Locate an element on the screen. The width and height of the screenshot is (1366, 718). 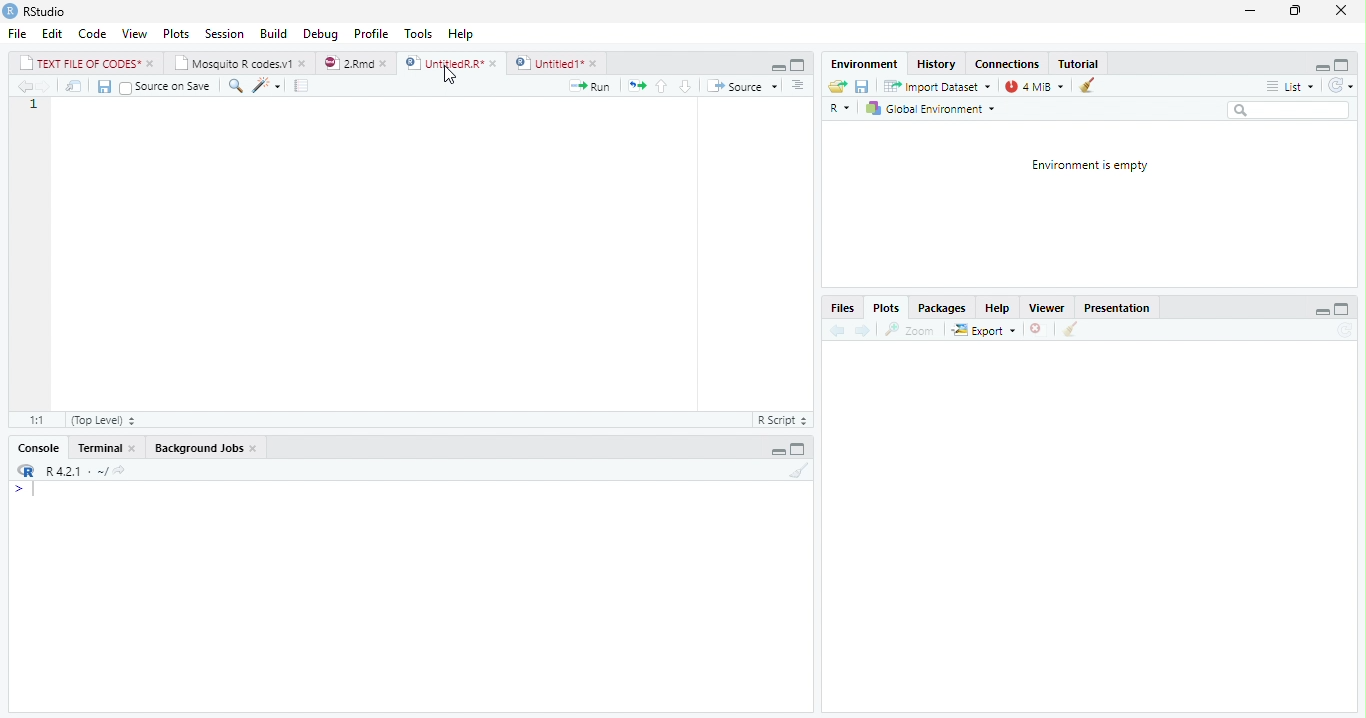
hide r script is located at coordinates (1321, 66).